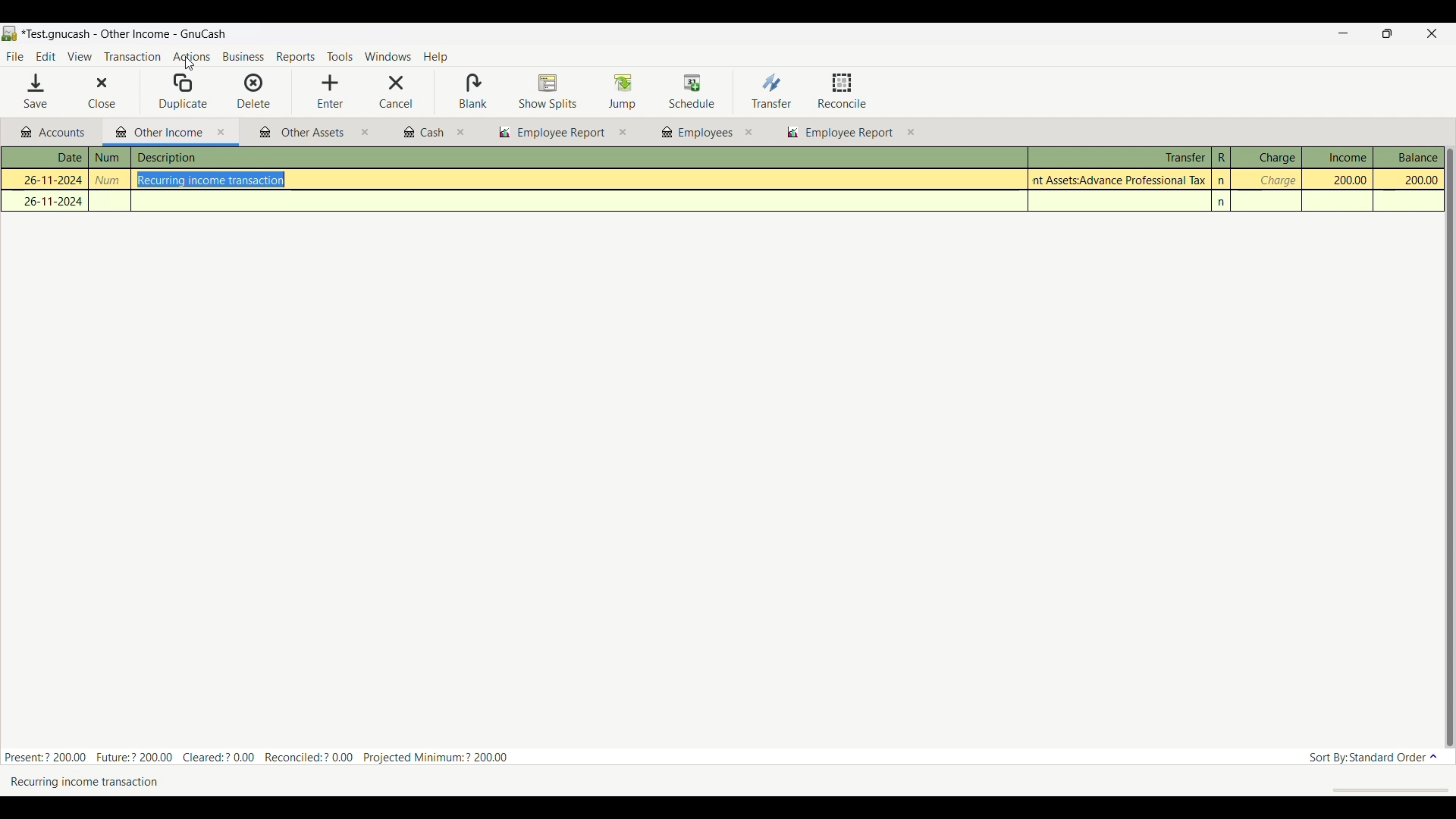 The width and height of the screenshot is (1456, 819). I want to click on Assets:Advance Professional Tax, so click(1122, 180).